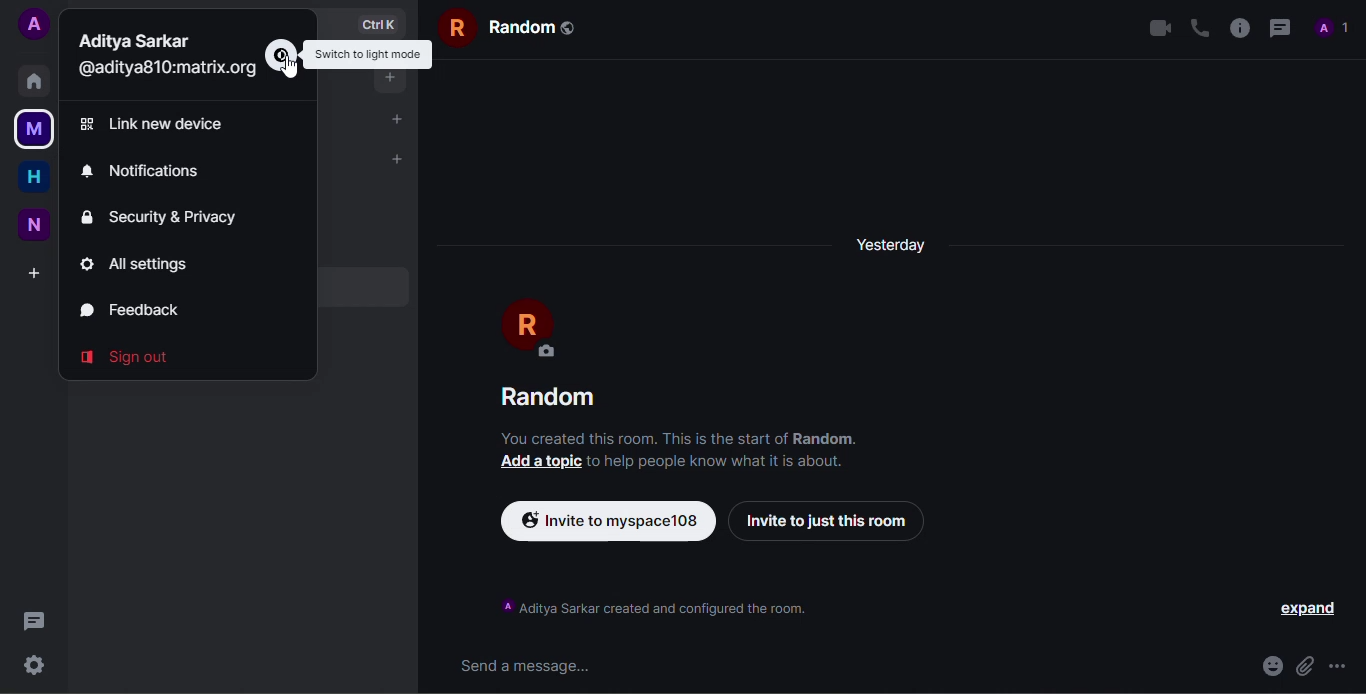 This screenshot has height=694, width=1366. Describe the element at coordinates (38, 81) in the screenshot. I see `home` at that location.